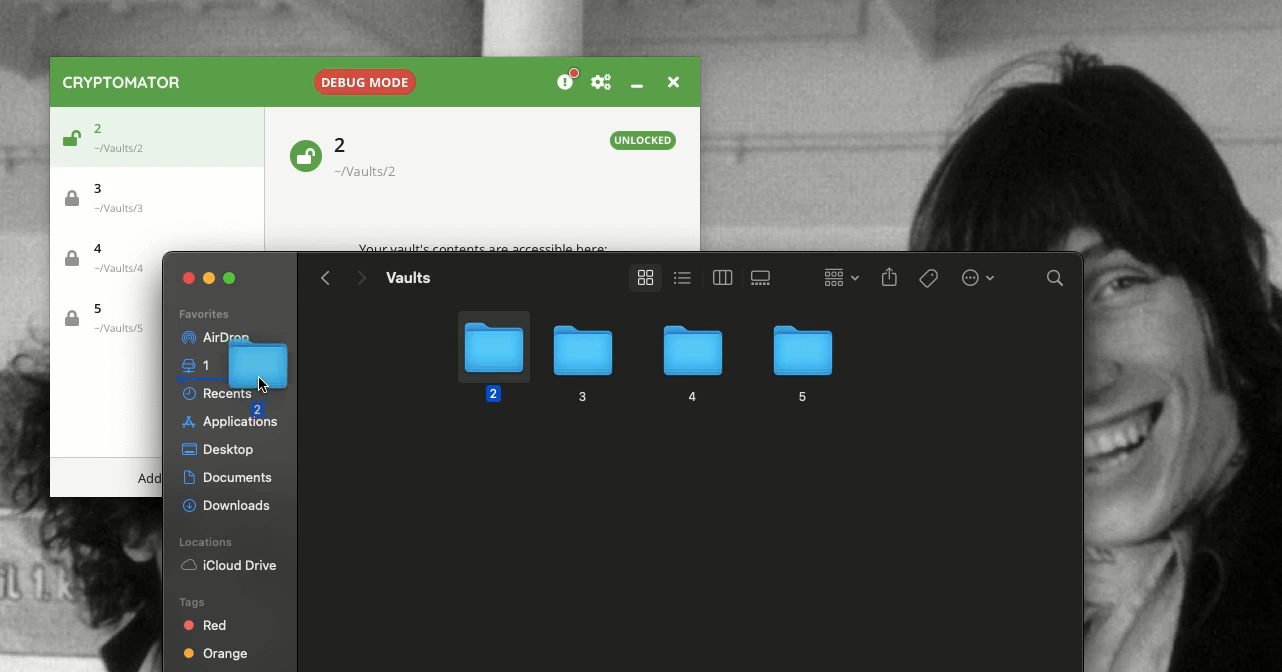 This screenshot has height=672, width=1282. Describe the element at coordinates (68, 141) in the screenshot. I see `Unlocked` at that location.